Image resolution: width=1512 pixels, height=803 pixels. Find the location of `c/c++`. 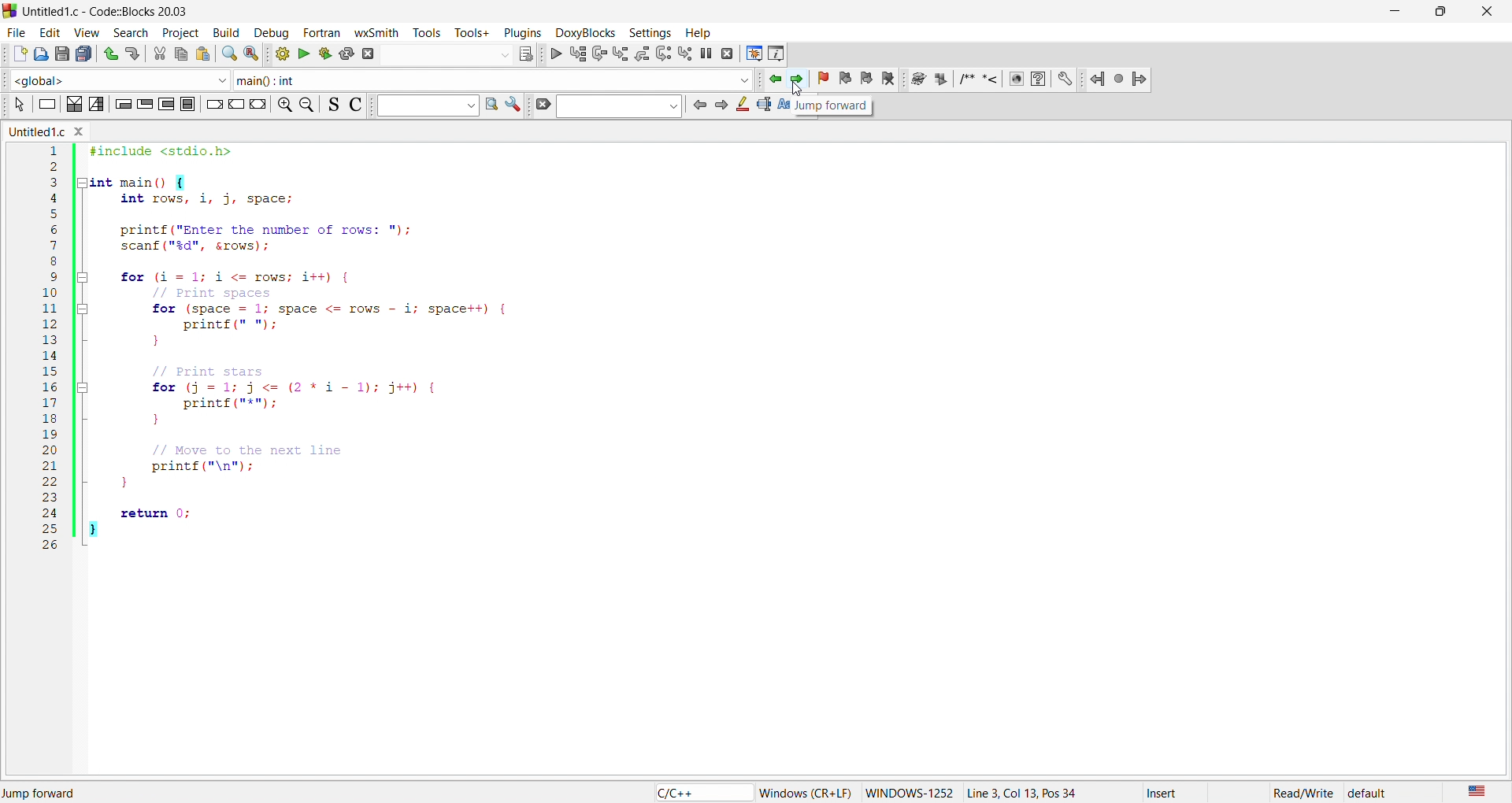

c/c++ is located at coordinates (696, 790).